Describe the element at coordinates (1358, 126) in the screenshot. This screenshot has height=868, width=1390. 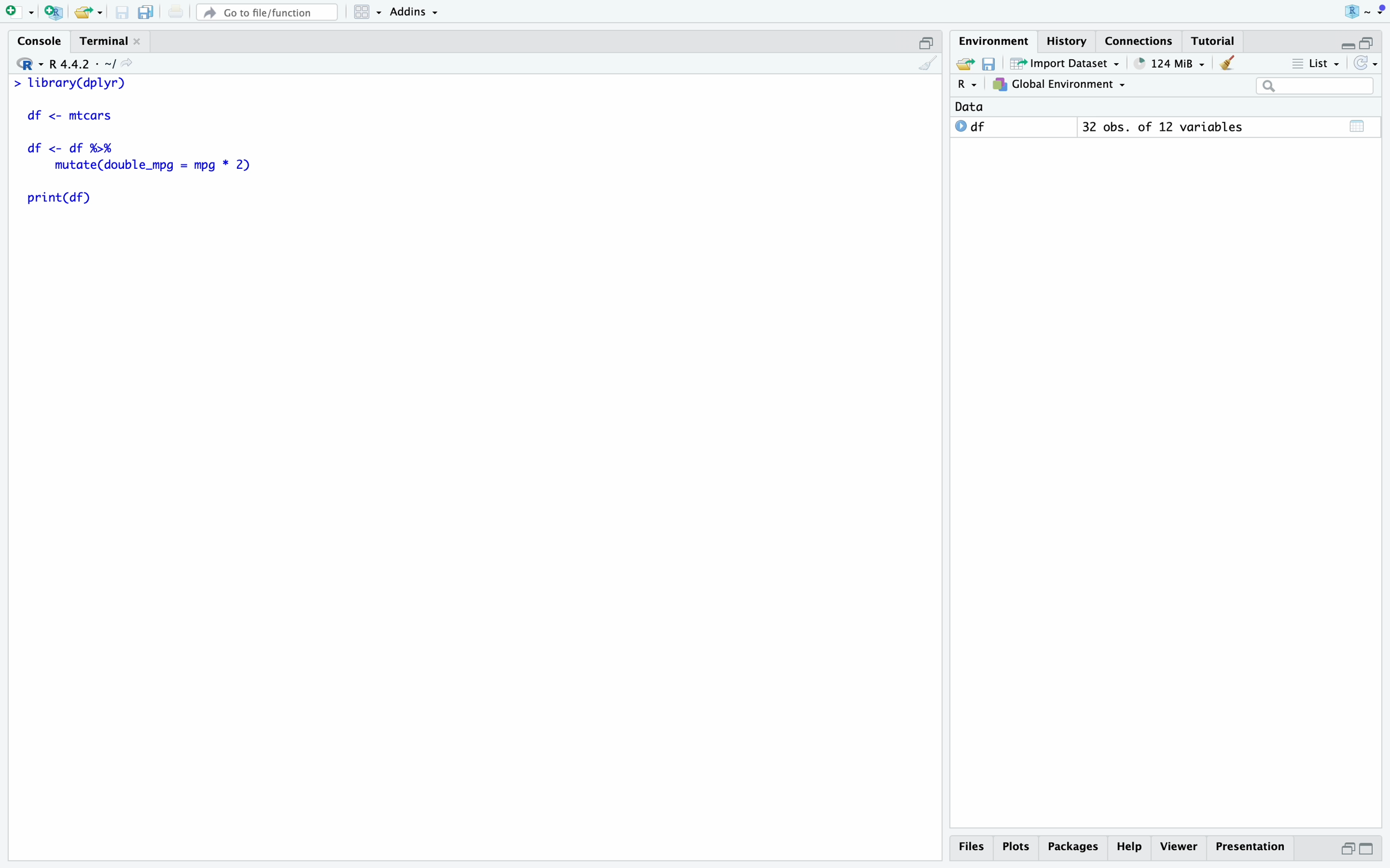
I see `table view` at that location.